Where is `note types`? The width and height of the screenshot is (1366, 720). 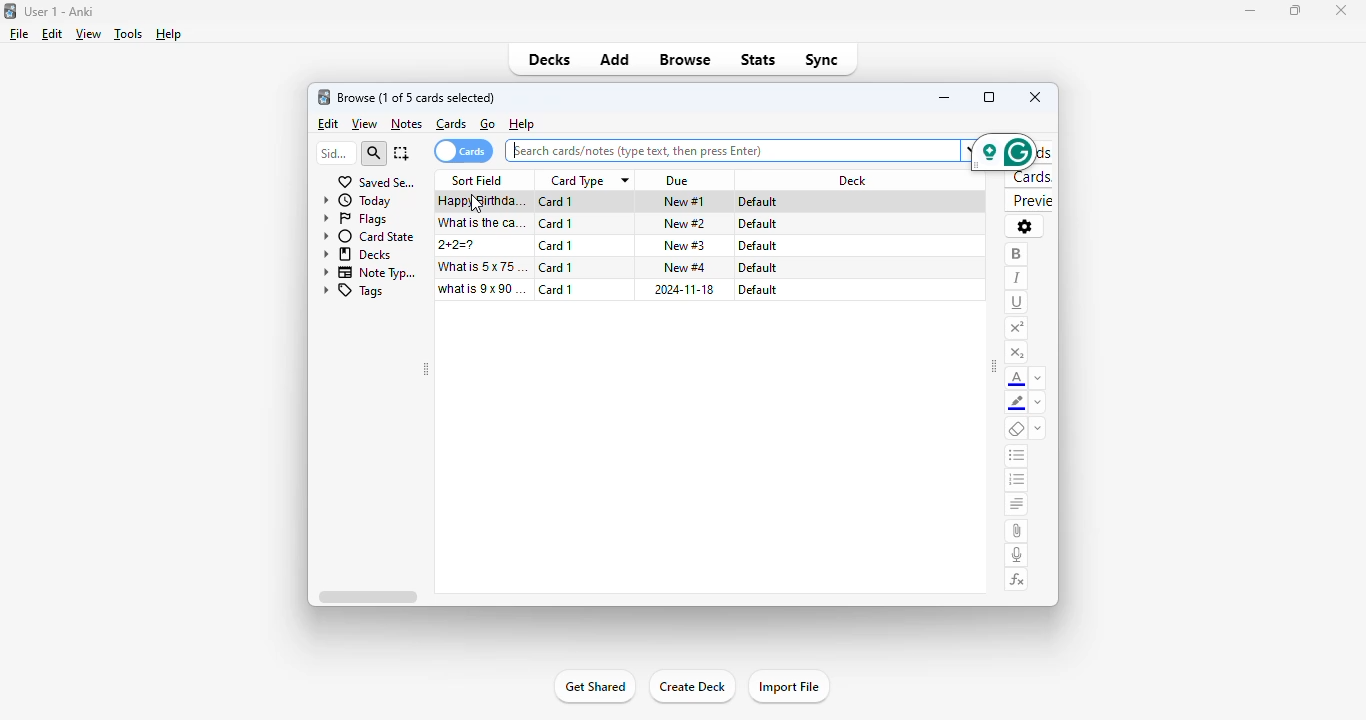 note types is located at coordinates (371, 273).